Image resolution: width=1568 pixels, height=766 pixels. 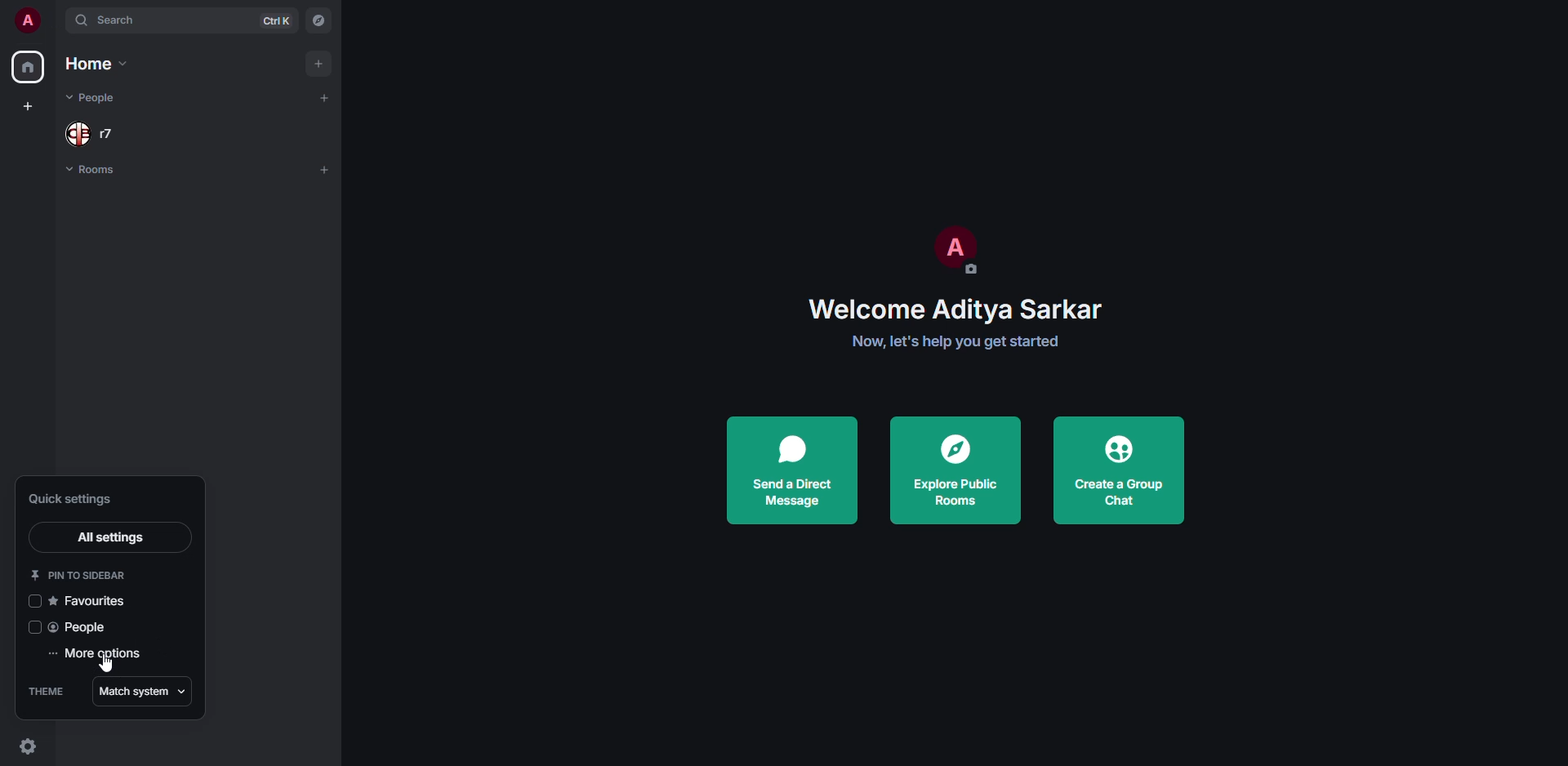 I want to click on send a direct message, so click(x=791, y=470).